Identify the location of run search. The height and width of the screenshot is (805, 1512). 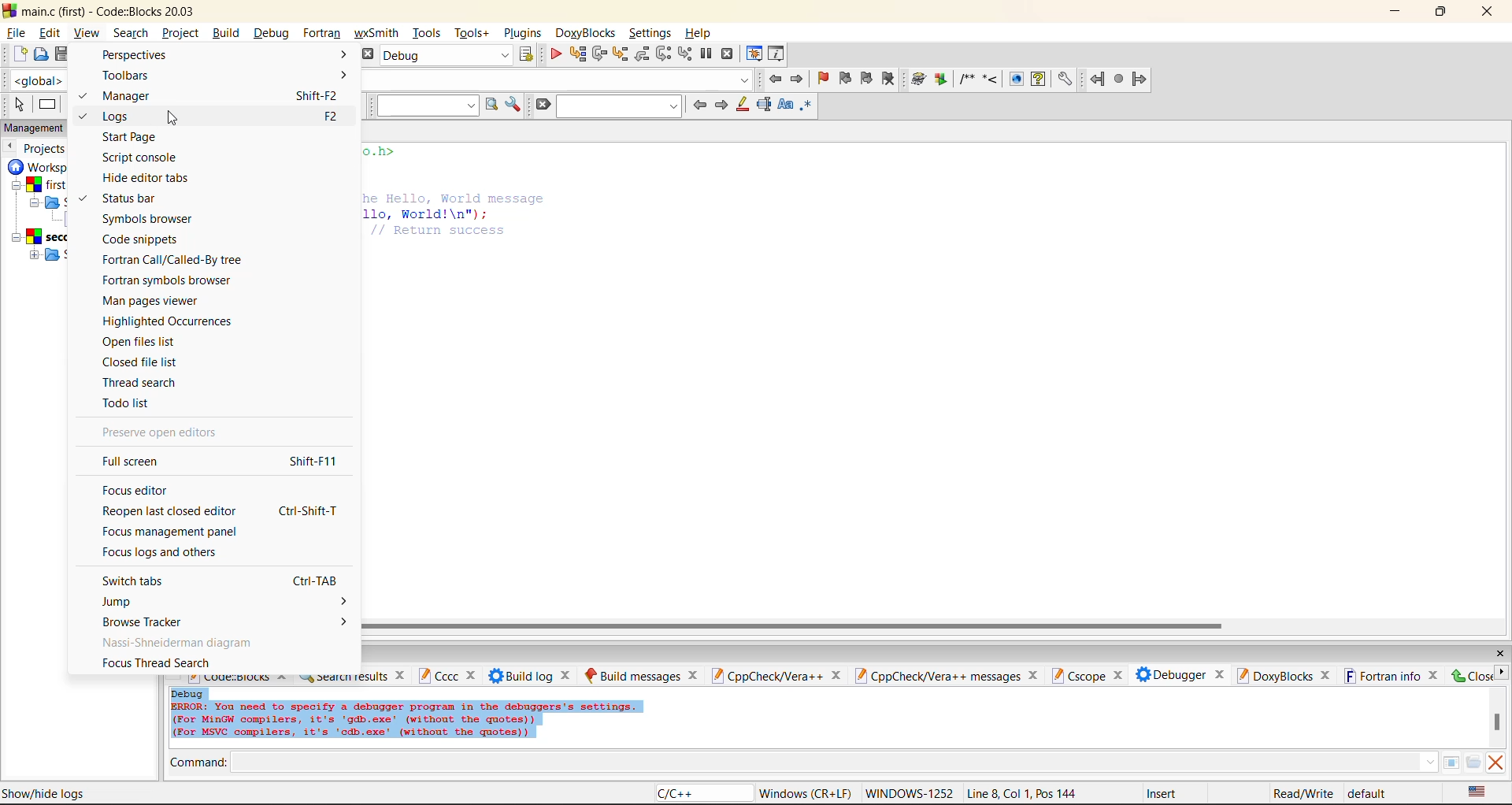
(490, 105).